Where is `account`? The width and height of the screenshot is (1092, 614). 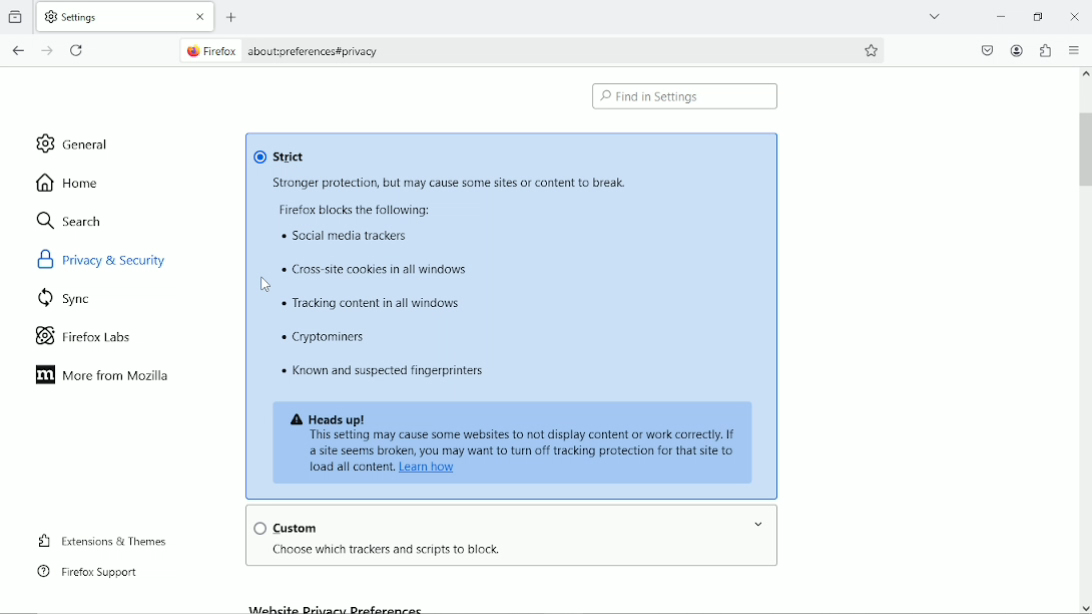
account is located at coordinates (1018, 50).